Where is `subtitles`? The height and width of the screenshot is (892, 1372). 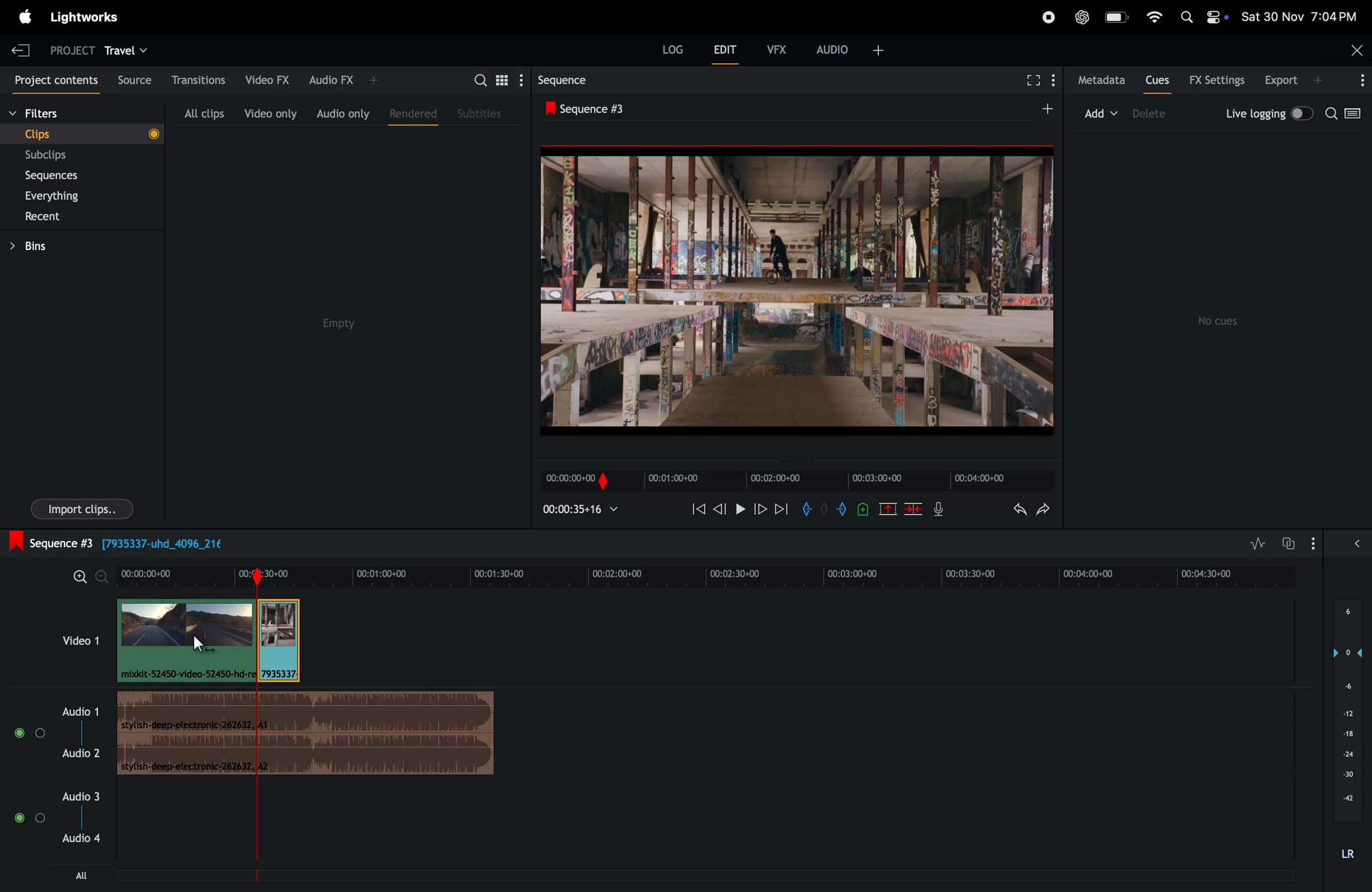 subtitles is located at coordinates (482, 114).